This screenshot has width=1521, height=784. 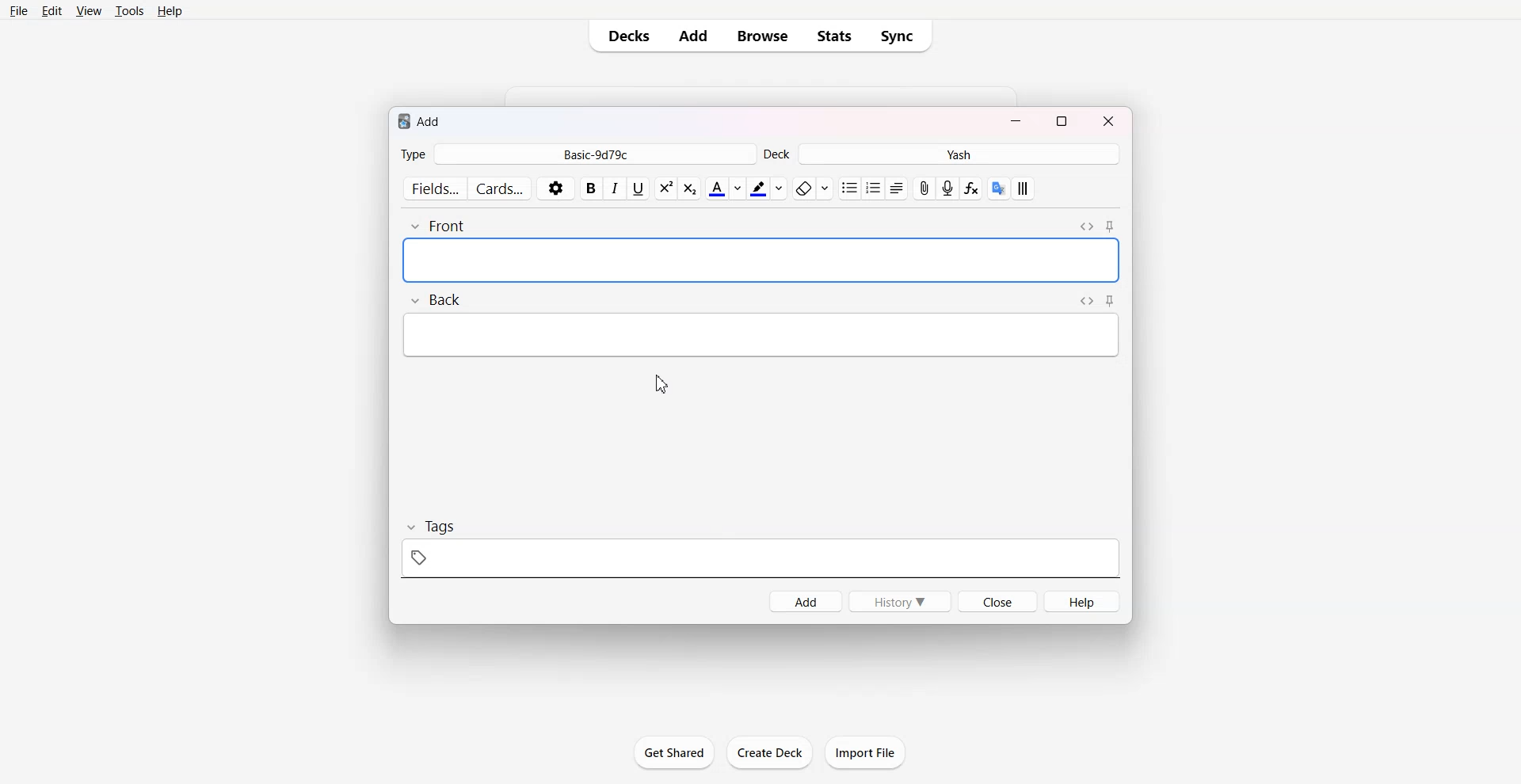 I want to click on Add, so click(x=693, y=36).